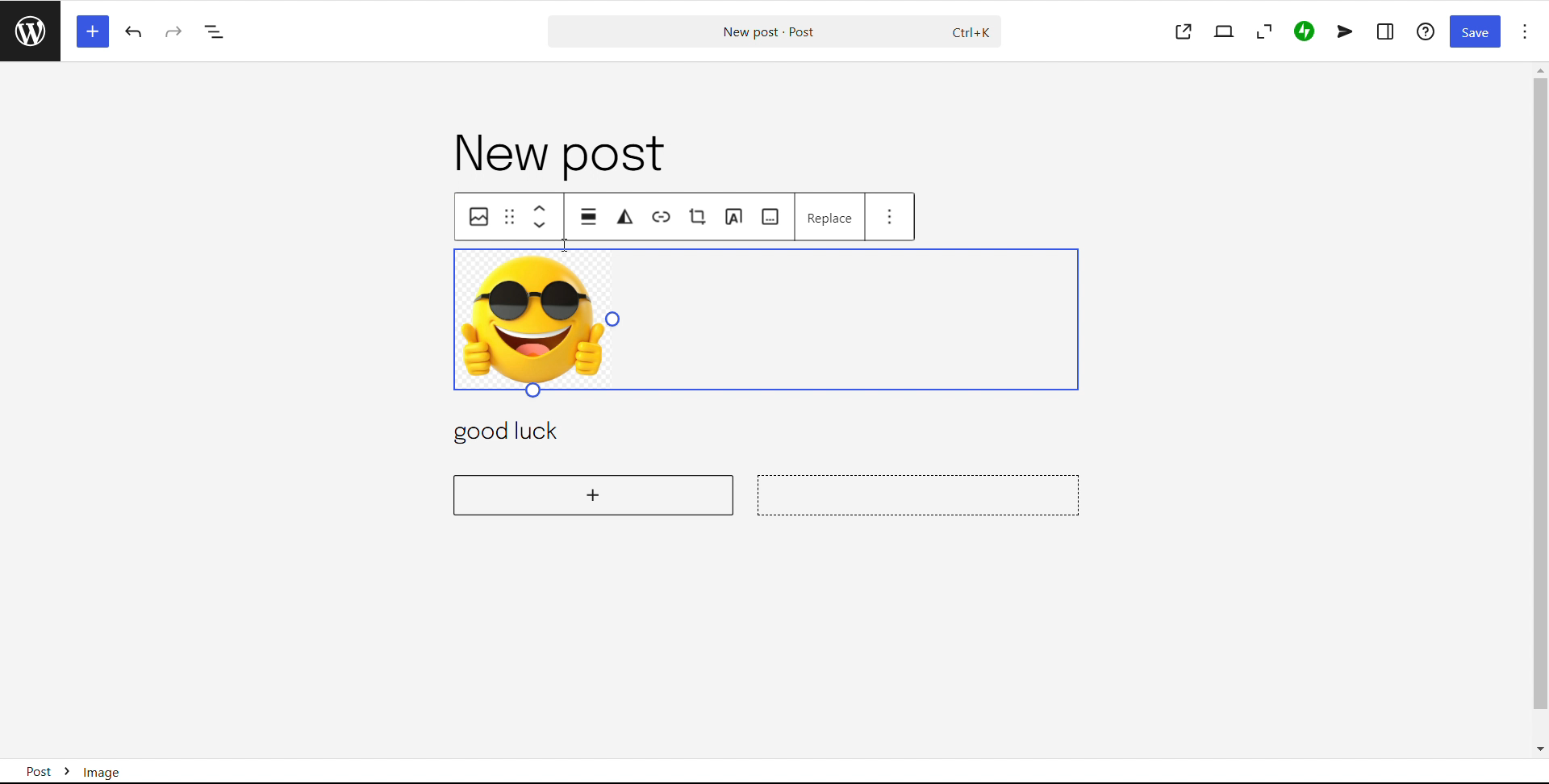 The width and height of the screenshot is (1549, 784). Describe the element at coordinates (526, 432) in the screenshot. I see `good luck` at that location.